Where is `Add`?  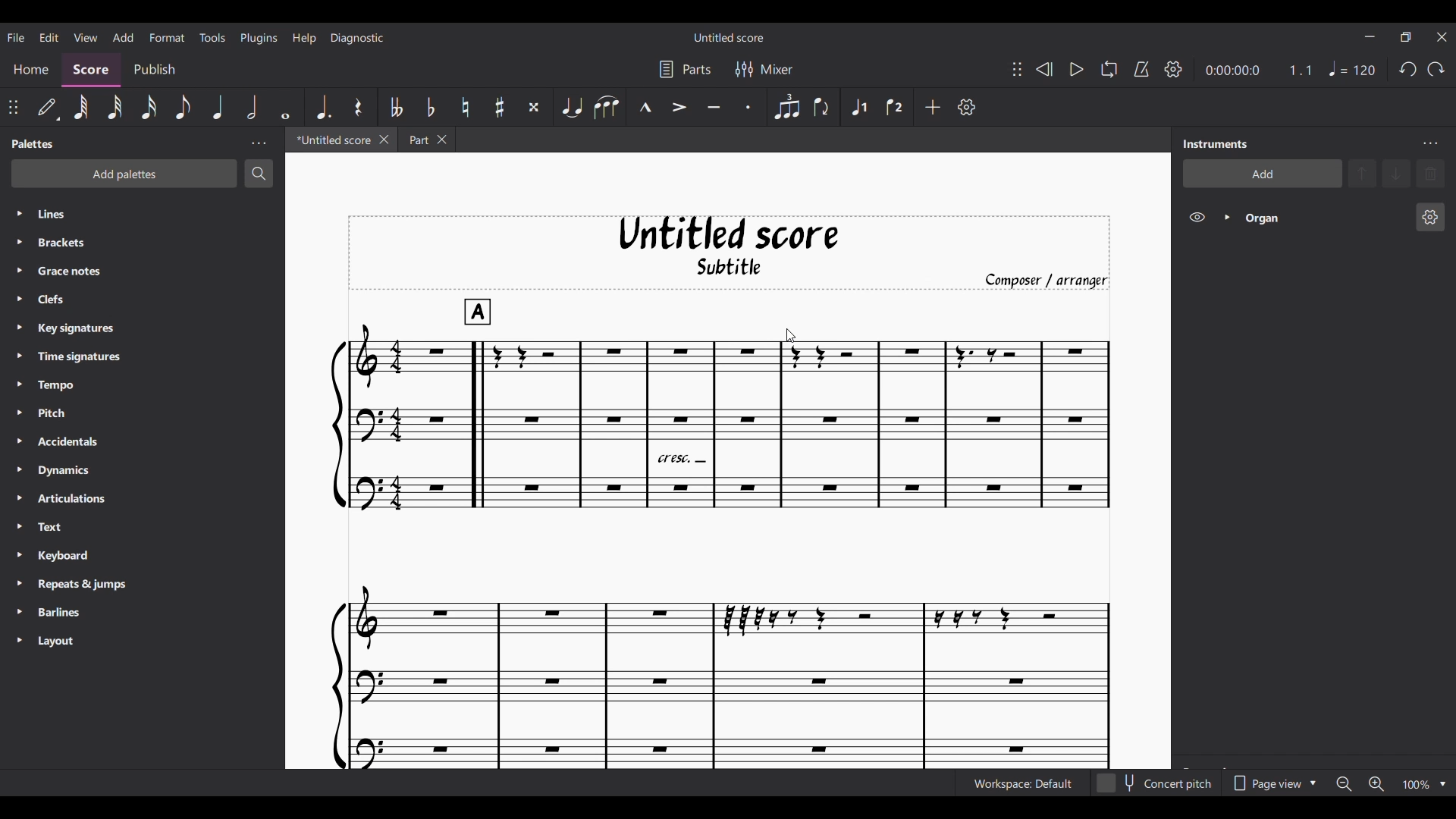 Add is located at coordinates (933, 107).